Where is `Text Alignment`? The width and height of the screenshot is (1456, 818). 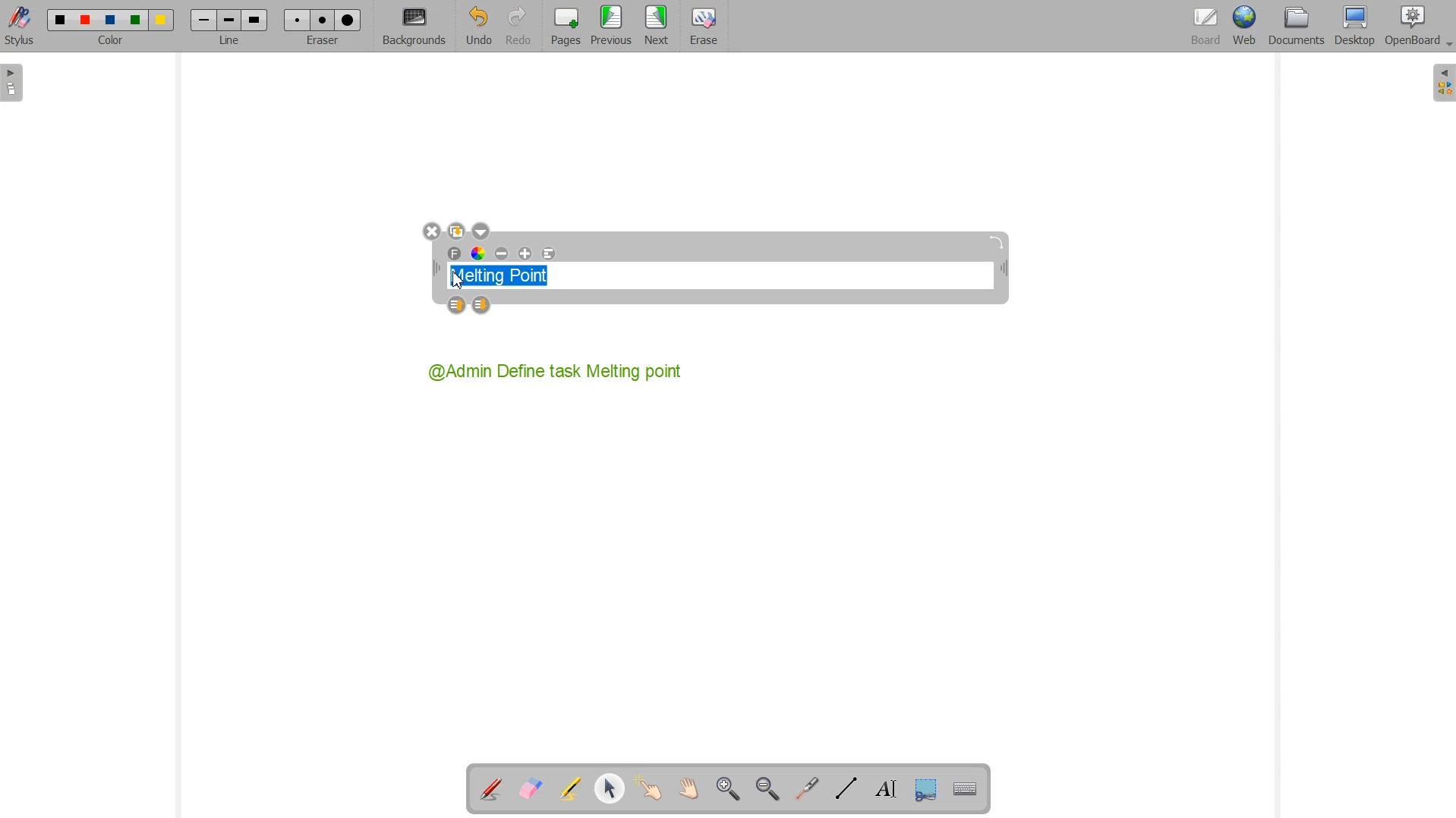 Text Alignment is located at coordinates (548, 254).